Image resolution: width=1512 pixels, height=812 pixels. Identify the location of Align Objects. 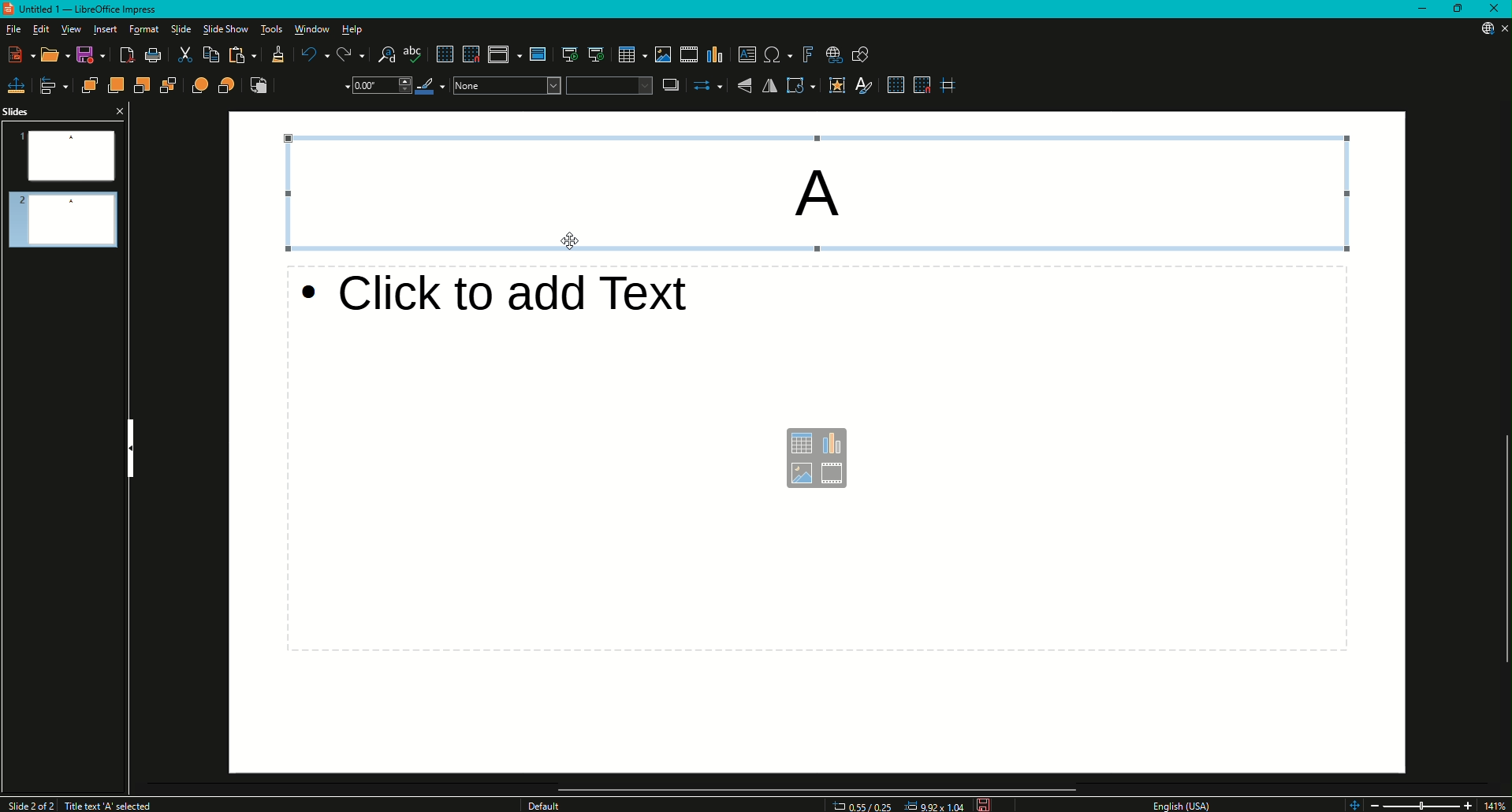
(52, 85).